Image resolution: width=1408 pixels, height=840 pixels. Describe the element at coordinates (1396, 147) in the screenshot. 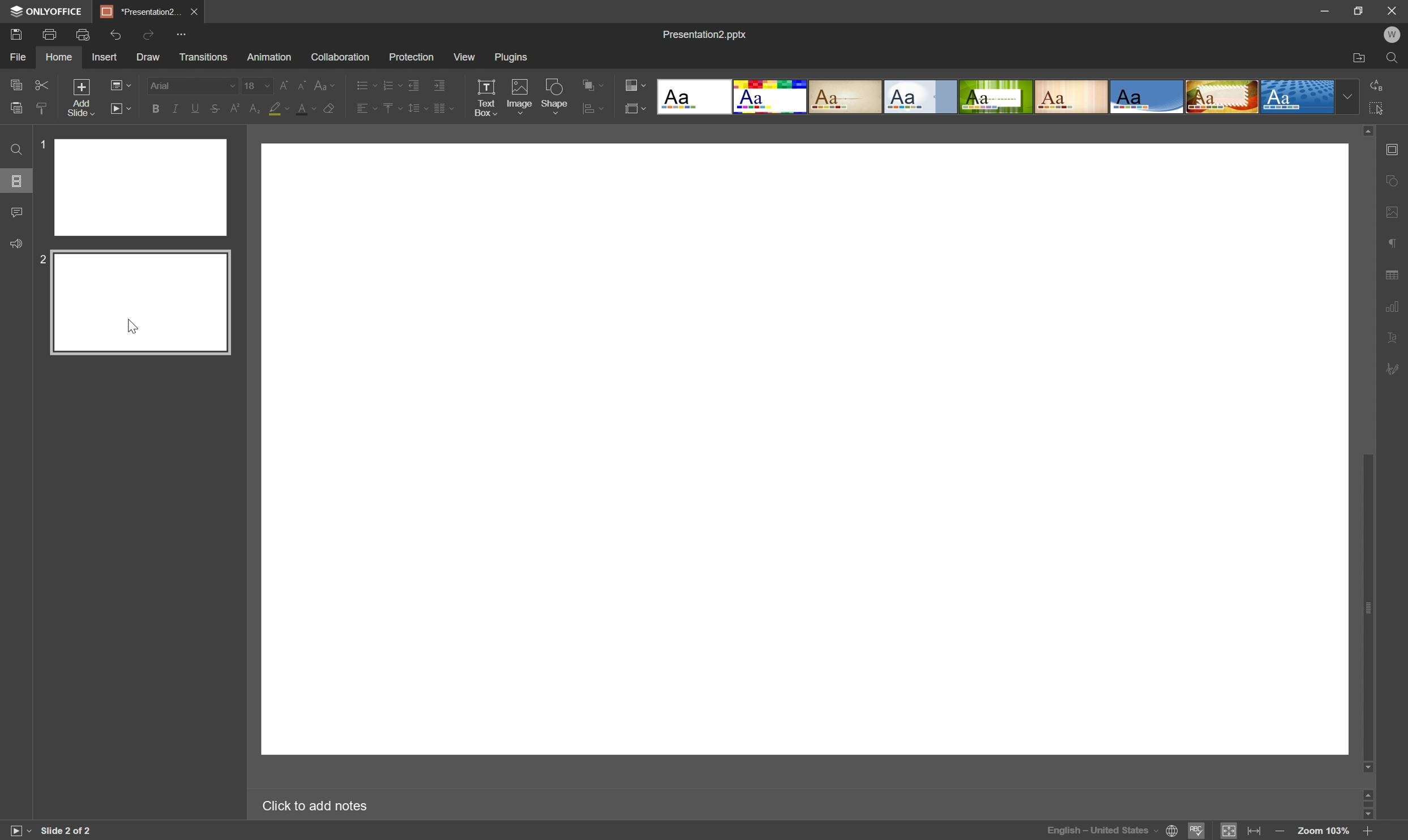

I see `Slide settings` at that location.